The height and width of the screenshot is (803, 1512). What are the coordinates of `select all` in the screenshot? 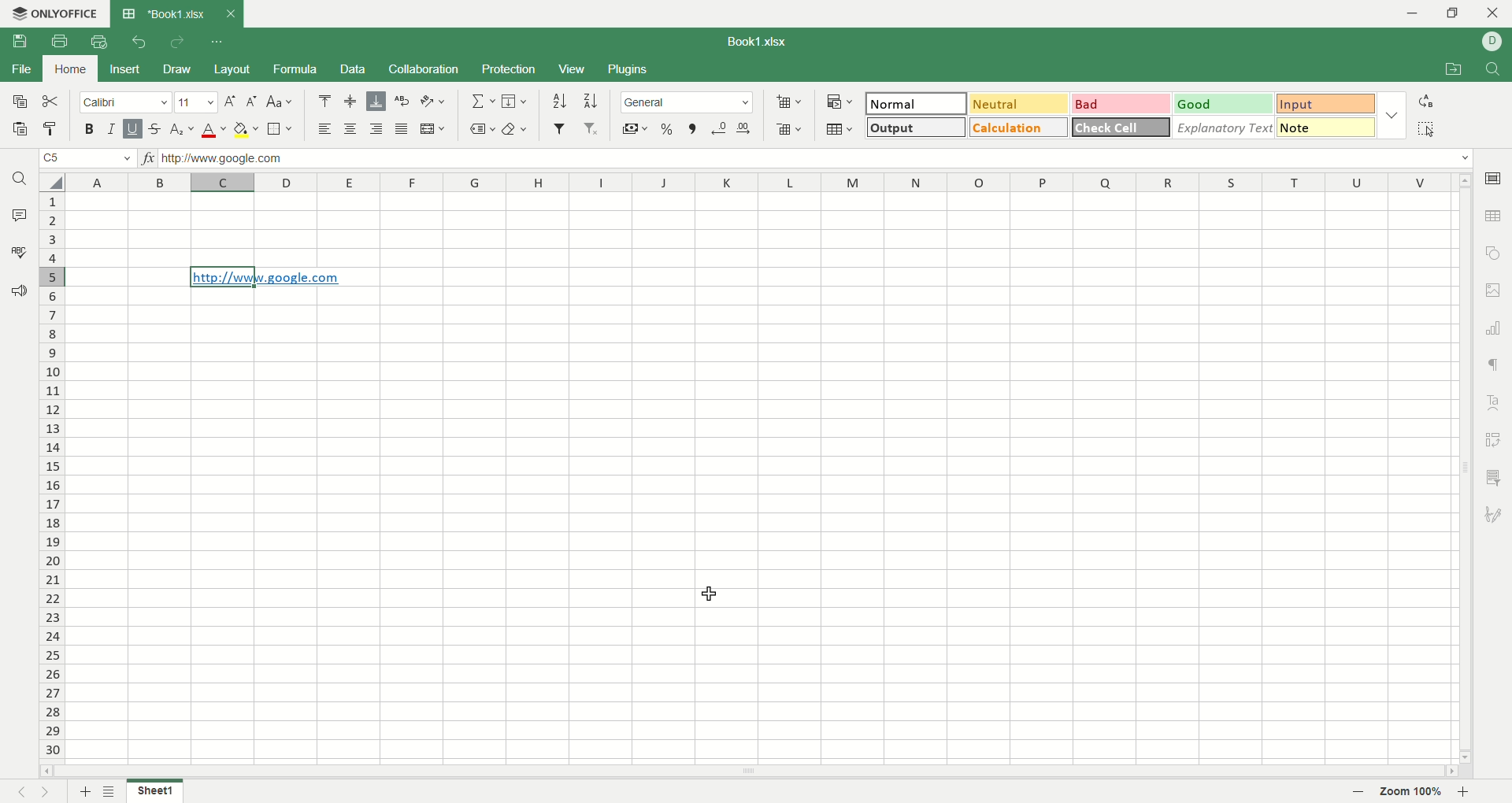 It's located at (1426, 128).